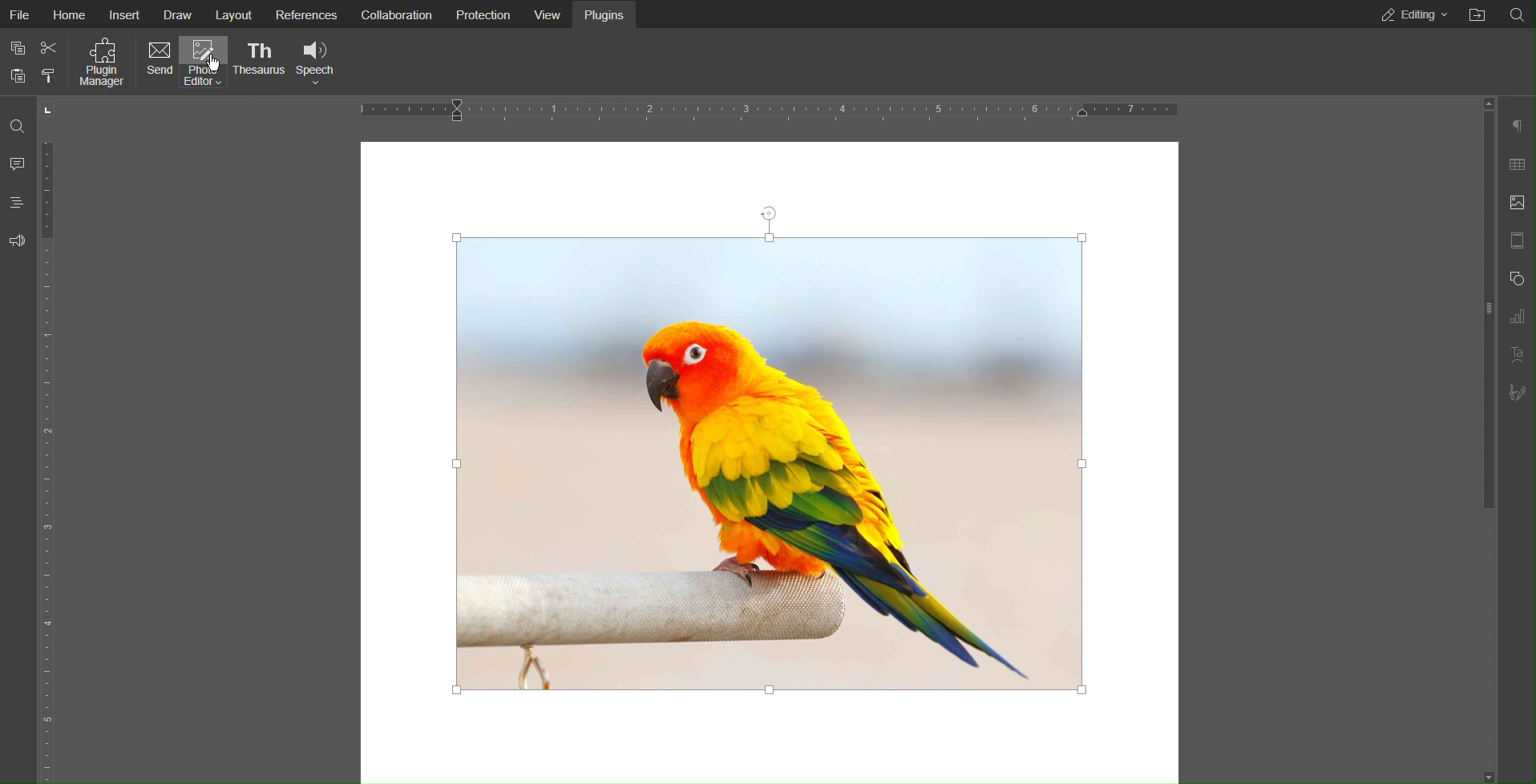 The image size is (1536, 784). What do you see at coordinates (18, 202) in the screenshot?
I see `Headings` at bounding box center [18, 202].